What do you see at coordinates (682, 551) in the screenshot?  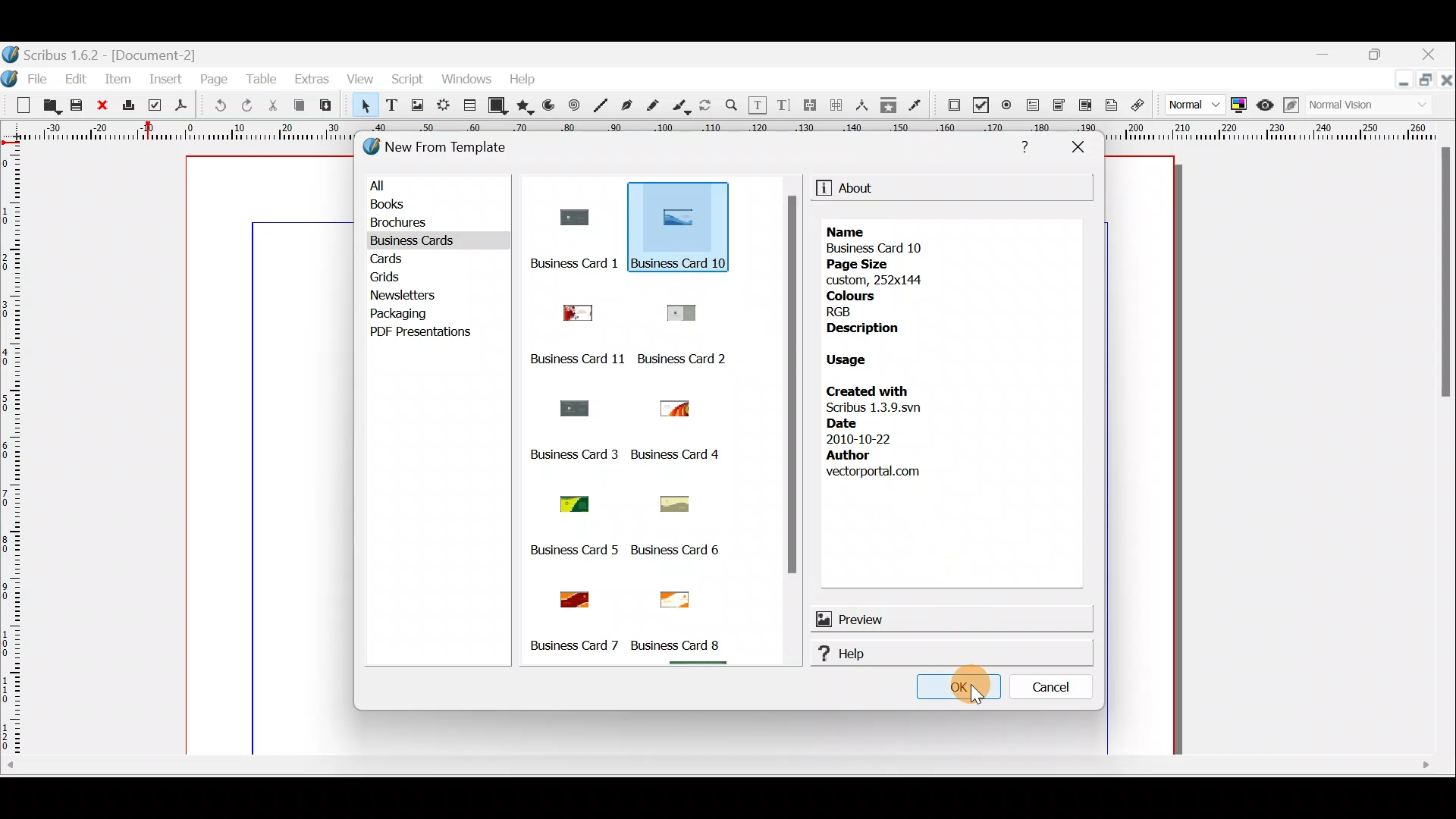 I see `Business card 6` at bounding box center [682, 551].